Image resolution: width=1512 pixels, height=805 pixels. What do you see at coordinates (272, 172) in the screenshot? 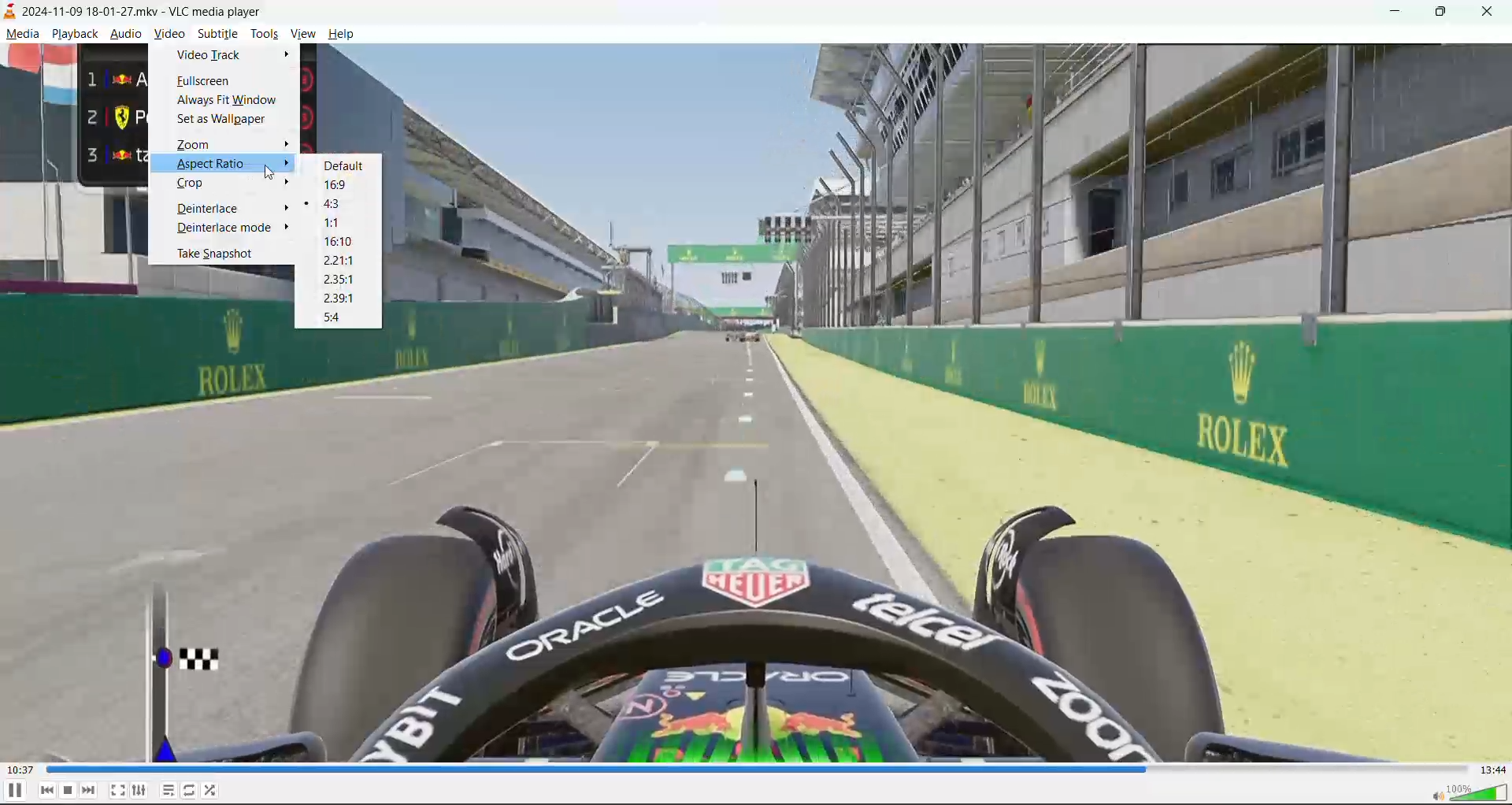
I see `cursor` at bounding box center [272, 172].